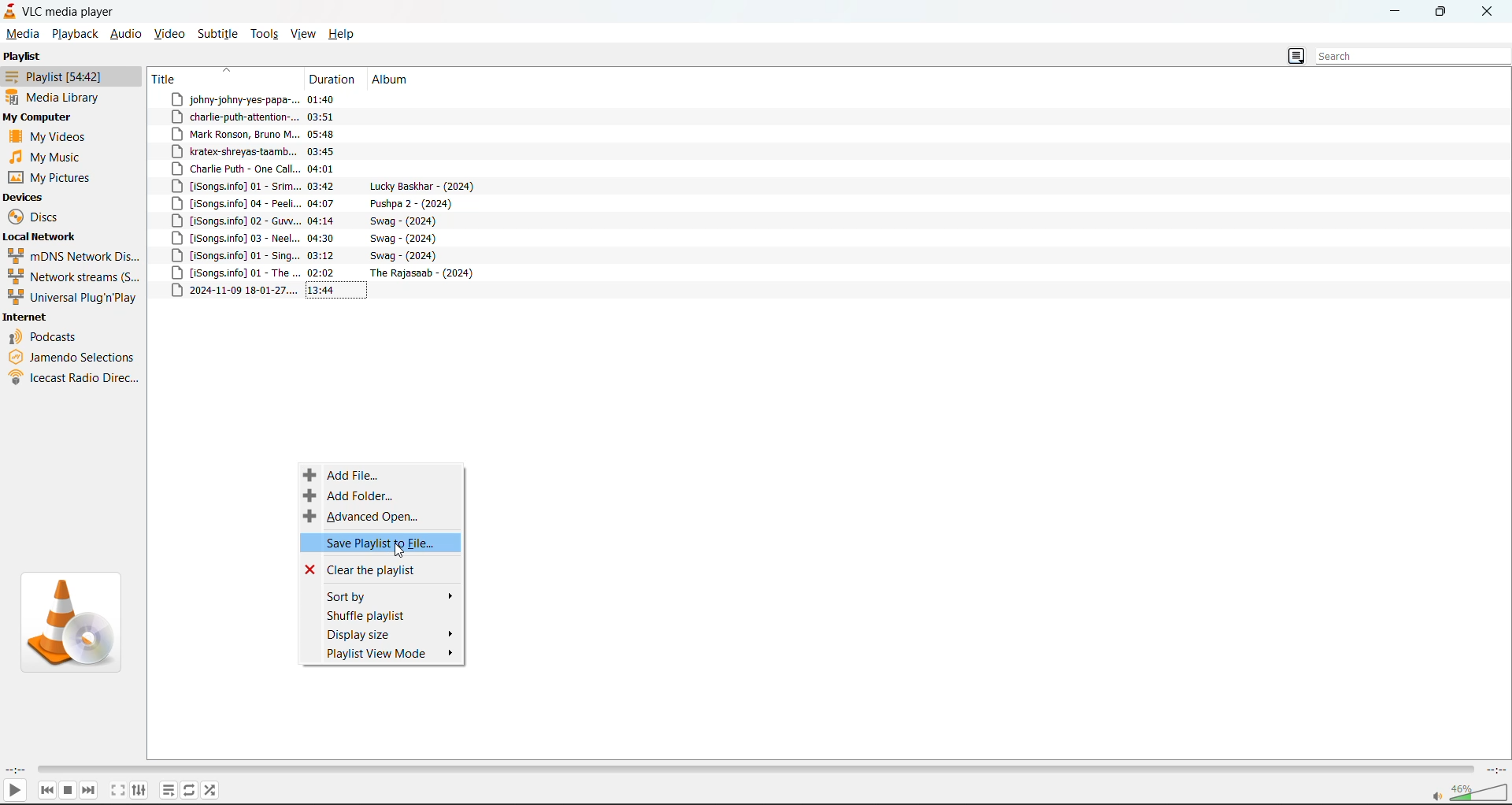  I want to click on local network, so click(42, 236).